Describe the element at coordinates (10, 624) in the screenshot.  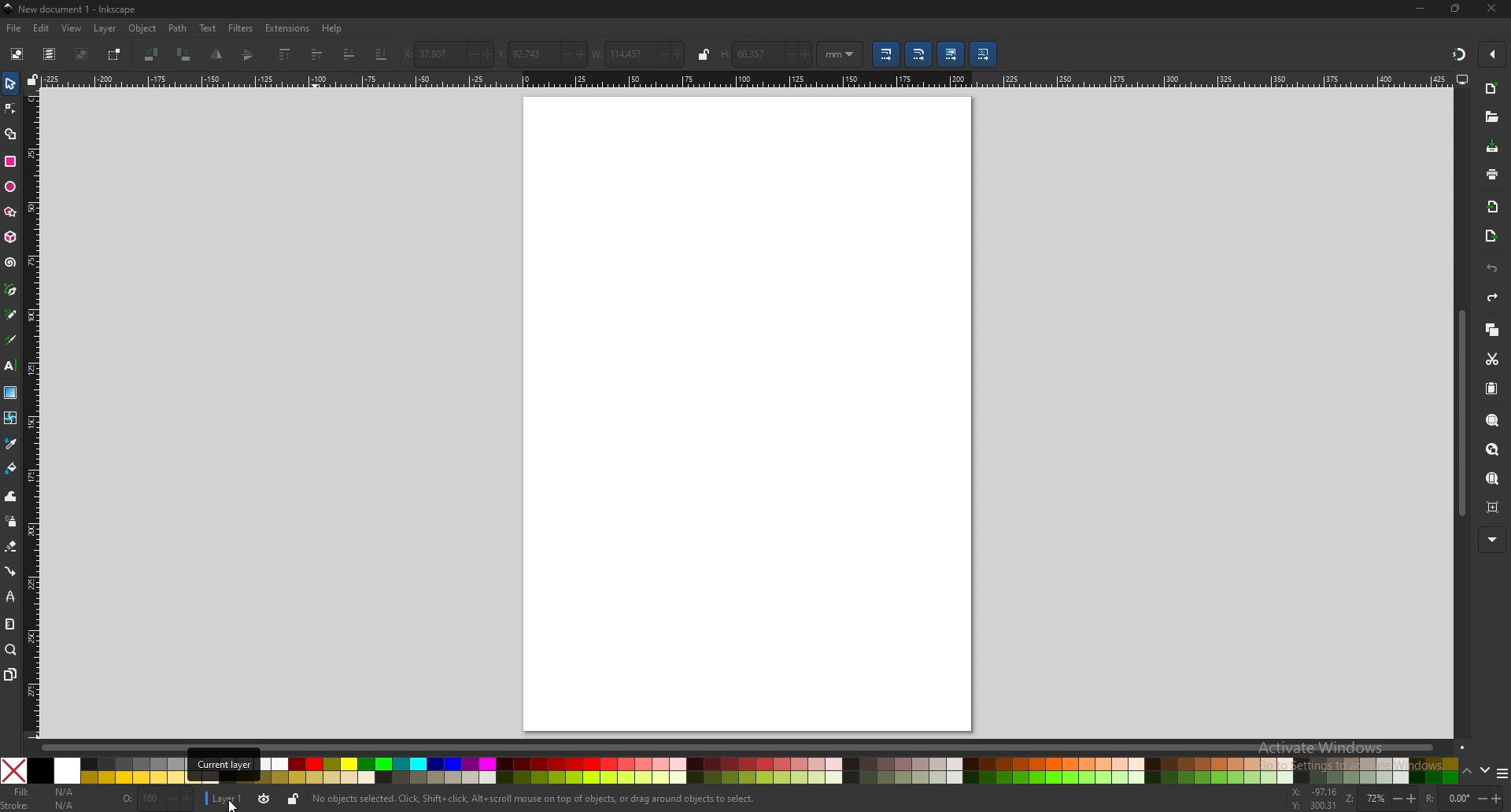
I see `measure` at that location.